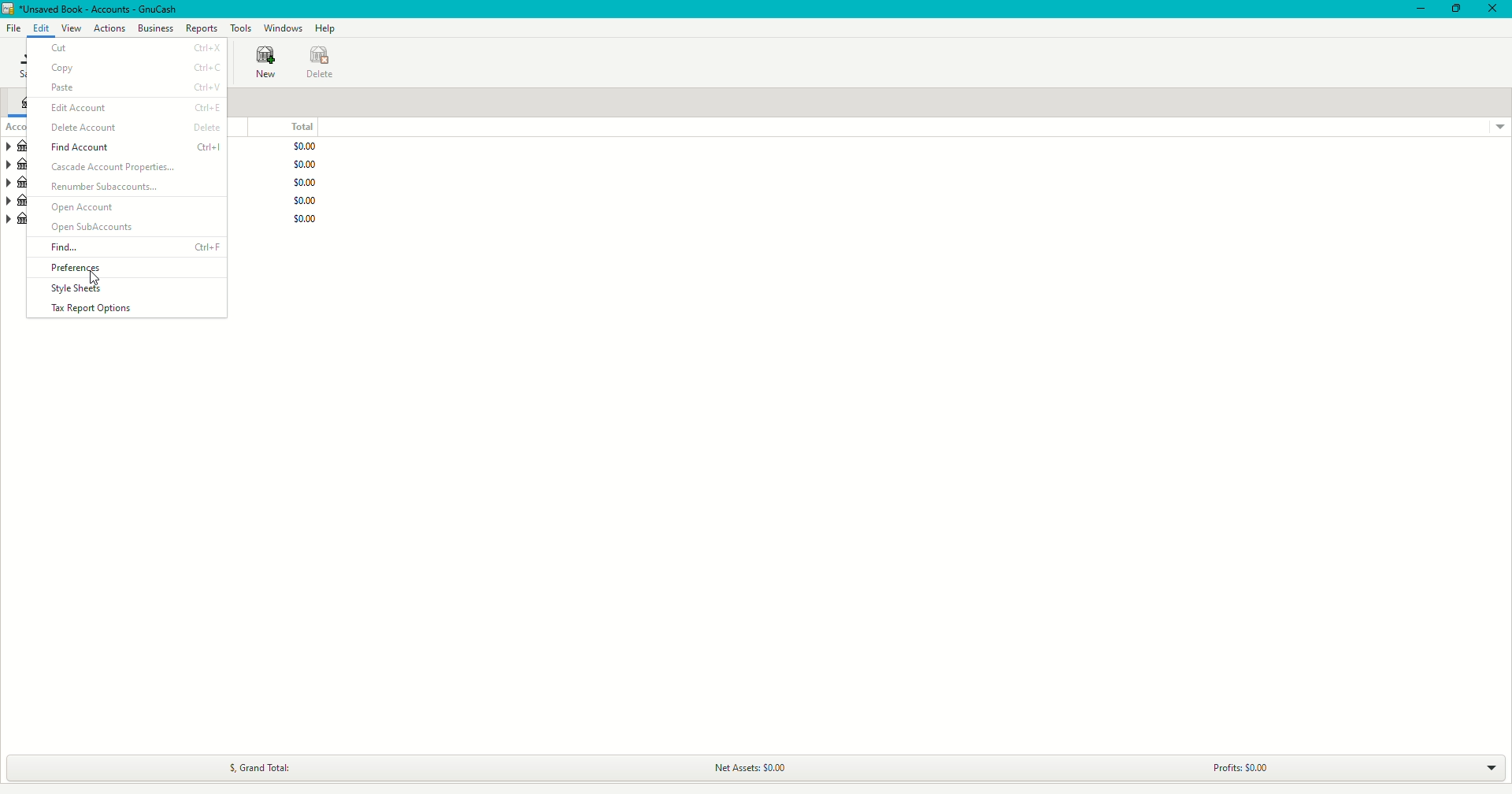 This screenshot has width=1512, height=794. What do you see at coordinates (14, 28) in the screenshot?
I see `File` at bounding box center [14, 28].